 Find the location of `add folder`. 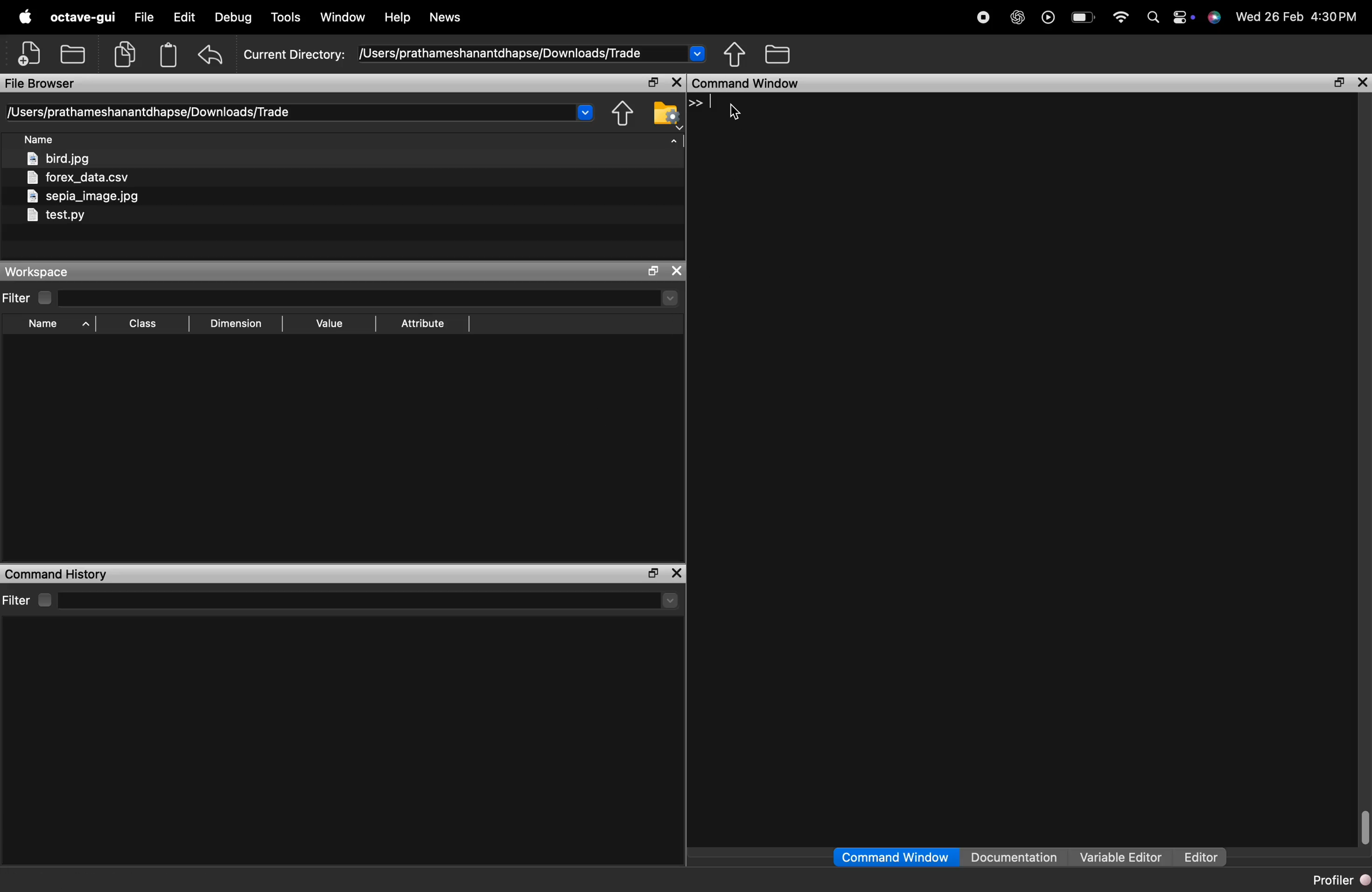

add folder is located at coordinates (72, 53).